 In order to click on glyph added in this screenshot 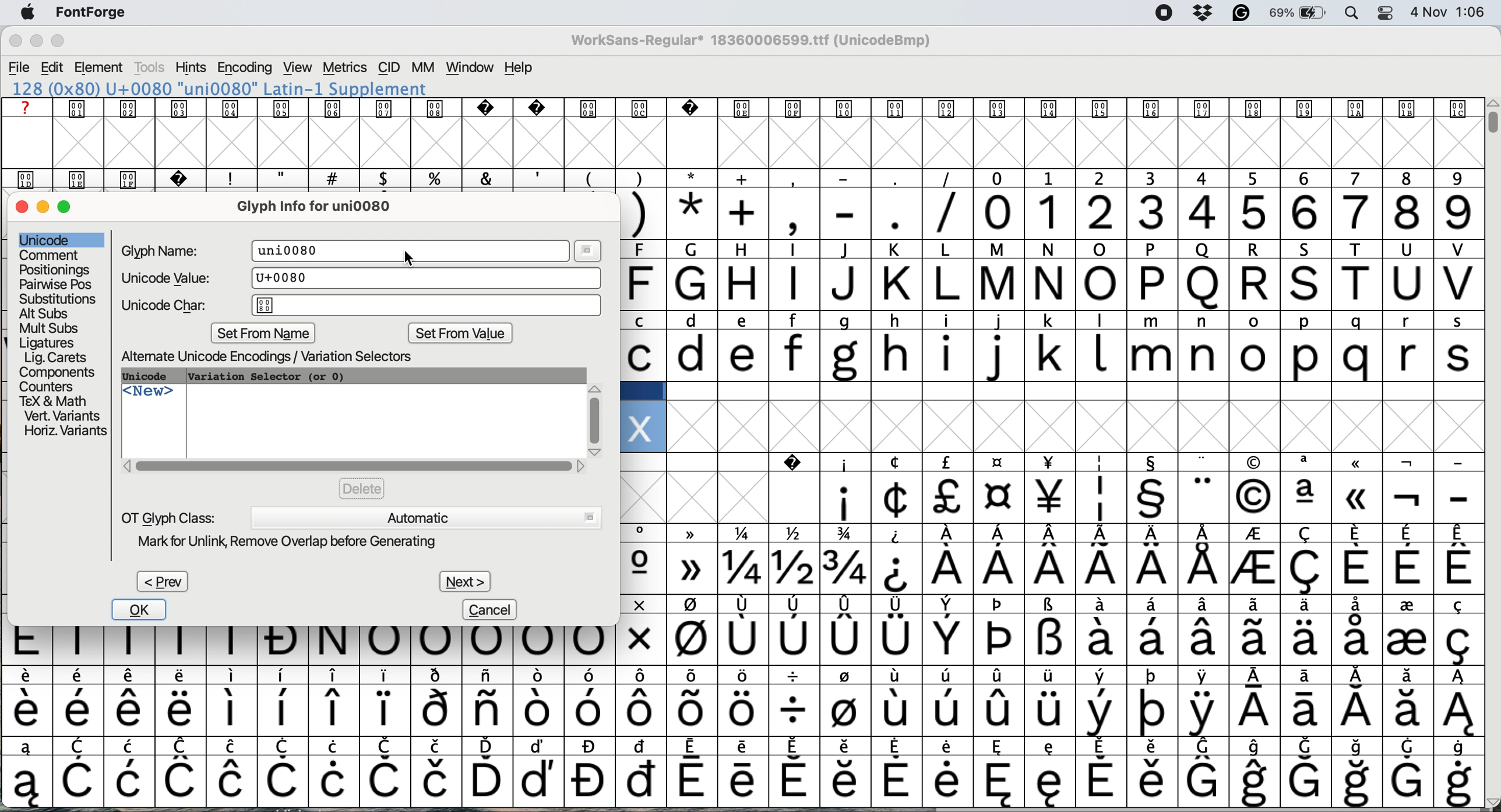, I will do `click(640, 426)`.